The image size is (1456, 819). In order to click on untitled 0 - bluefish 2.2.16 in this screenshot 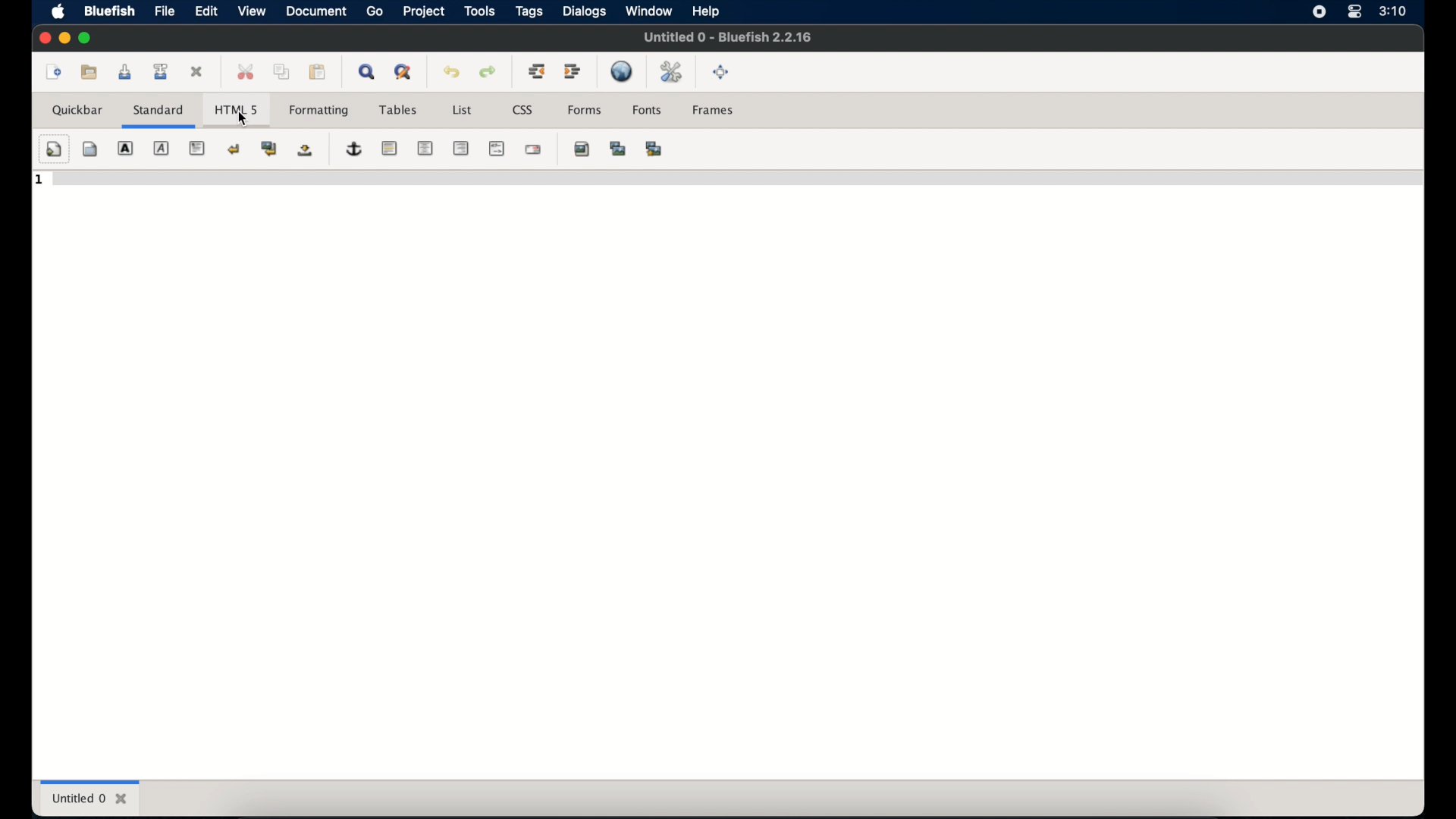, I will do `click(727, 36)`.